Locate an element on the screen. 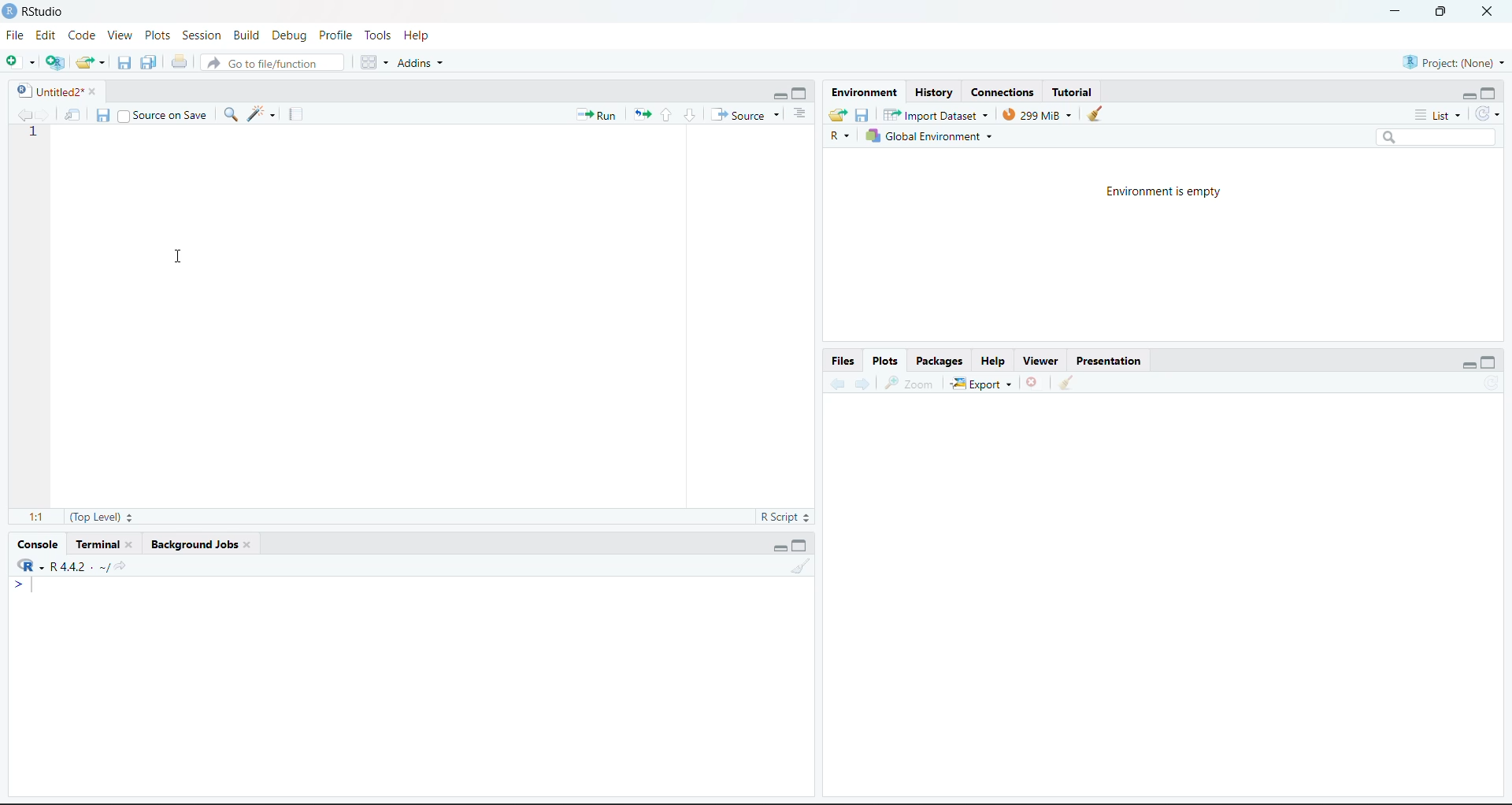  refresh the list of objects in the environment is located at coordinates (1490, 115).